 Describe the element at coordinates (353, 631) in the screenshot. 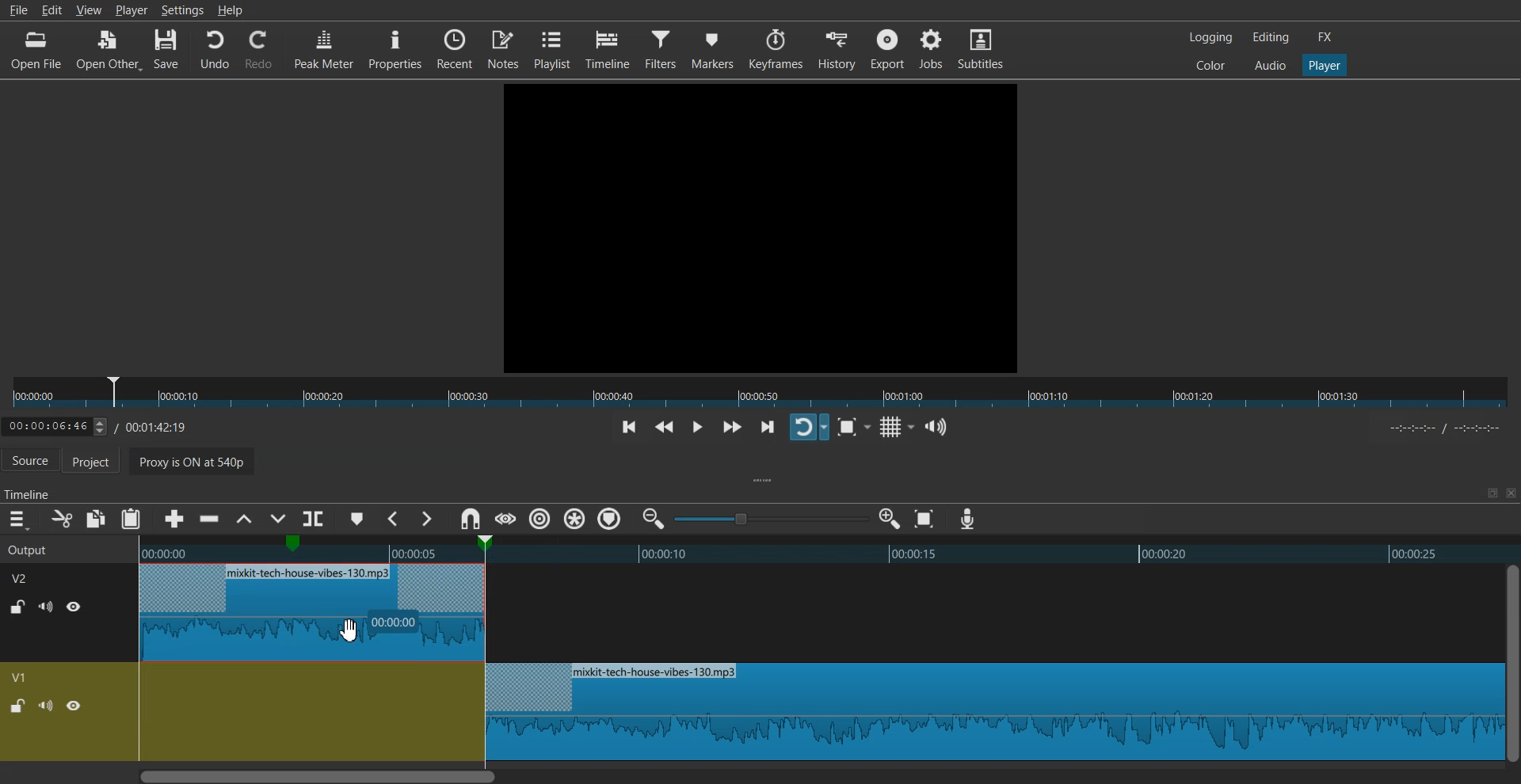

I see `Cursor` at that location.